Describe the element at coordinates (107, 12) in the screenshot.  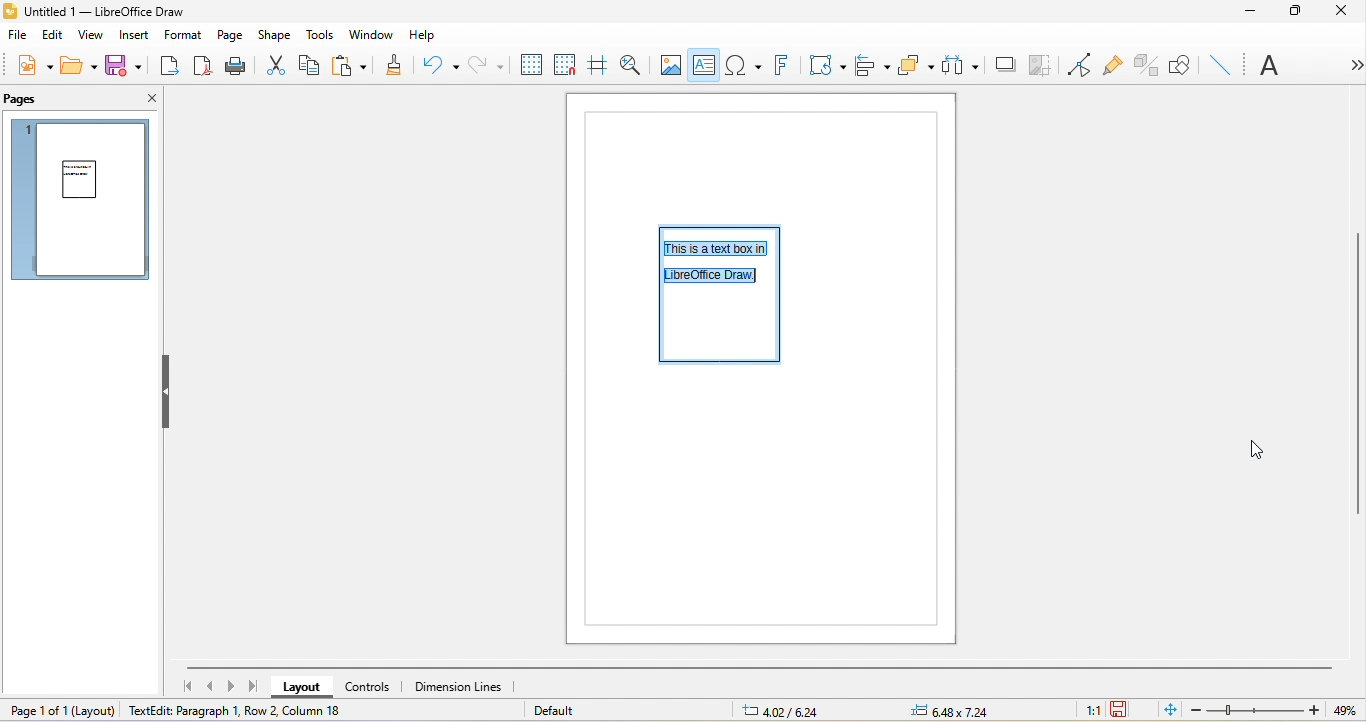
I see `title` at that location.